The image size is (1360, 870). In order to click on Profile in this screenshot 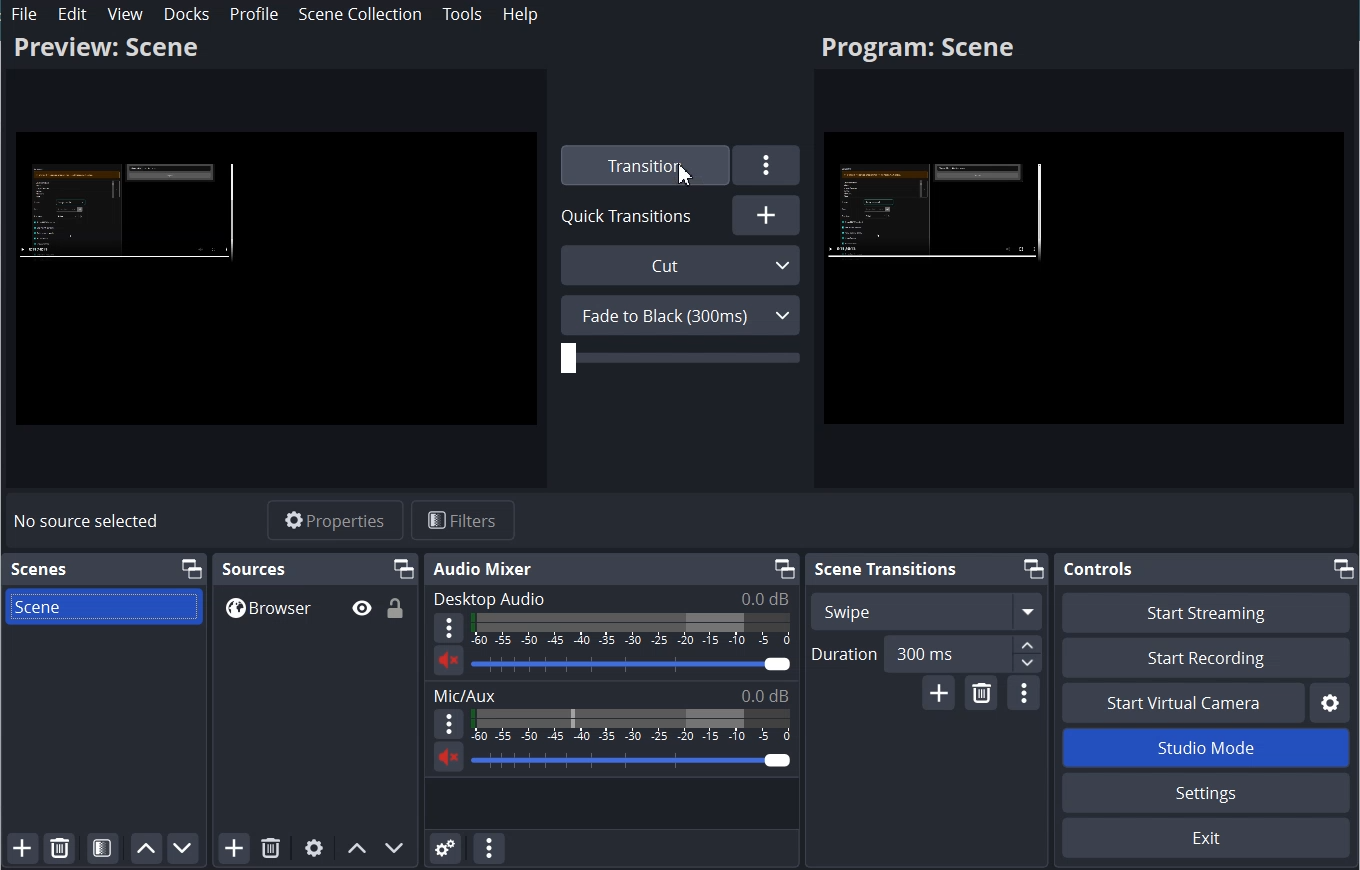, I will do `click(253, 14)`.